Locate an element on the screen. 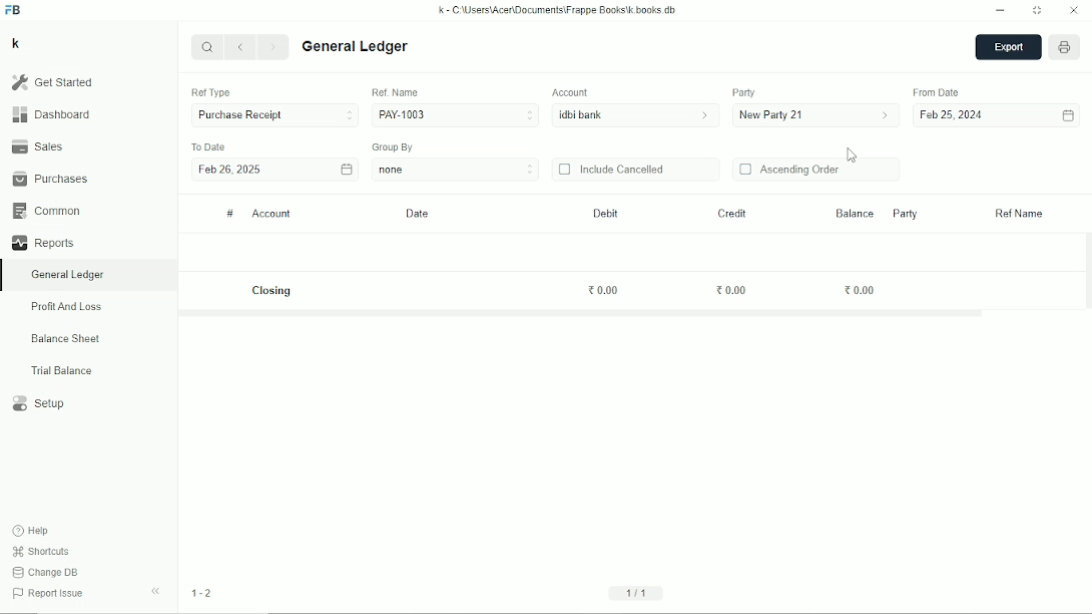  Account is located at coordinates (572, 93).